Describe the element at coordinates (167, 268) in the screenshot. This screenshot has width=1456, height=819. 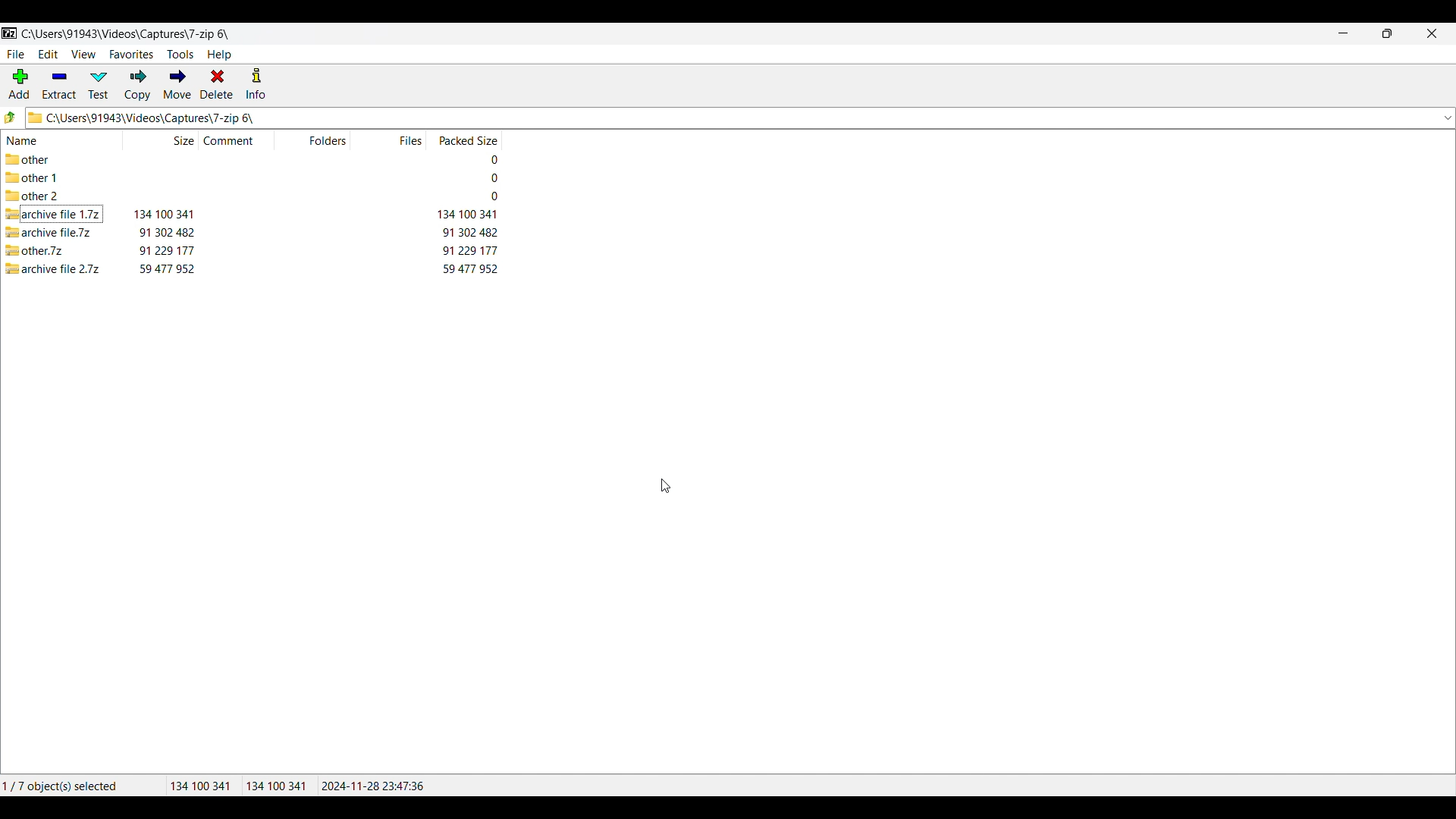
I see `size` at that location.